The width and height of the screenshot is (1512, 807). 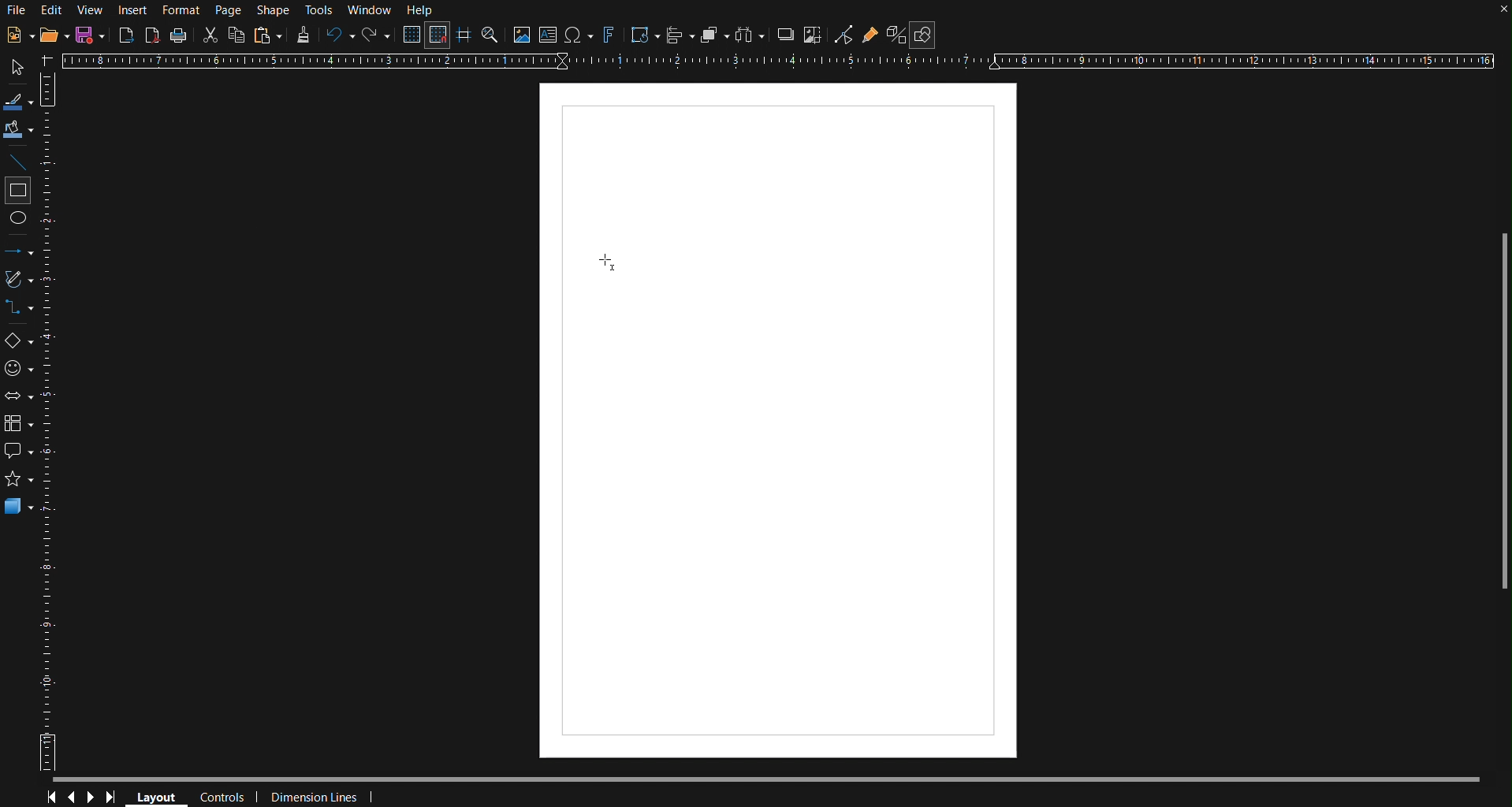 I want to click on Curves and Polygons, so click(x=19, y=280).